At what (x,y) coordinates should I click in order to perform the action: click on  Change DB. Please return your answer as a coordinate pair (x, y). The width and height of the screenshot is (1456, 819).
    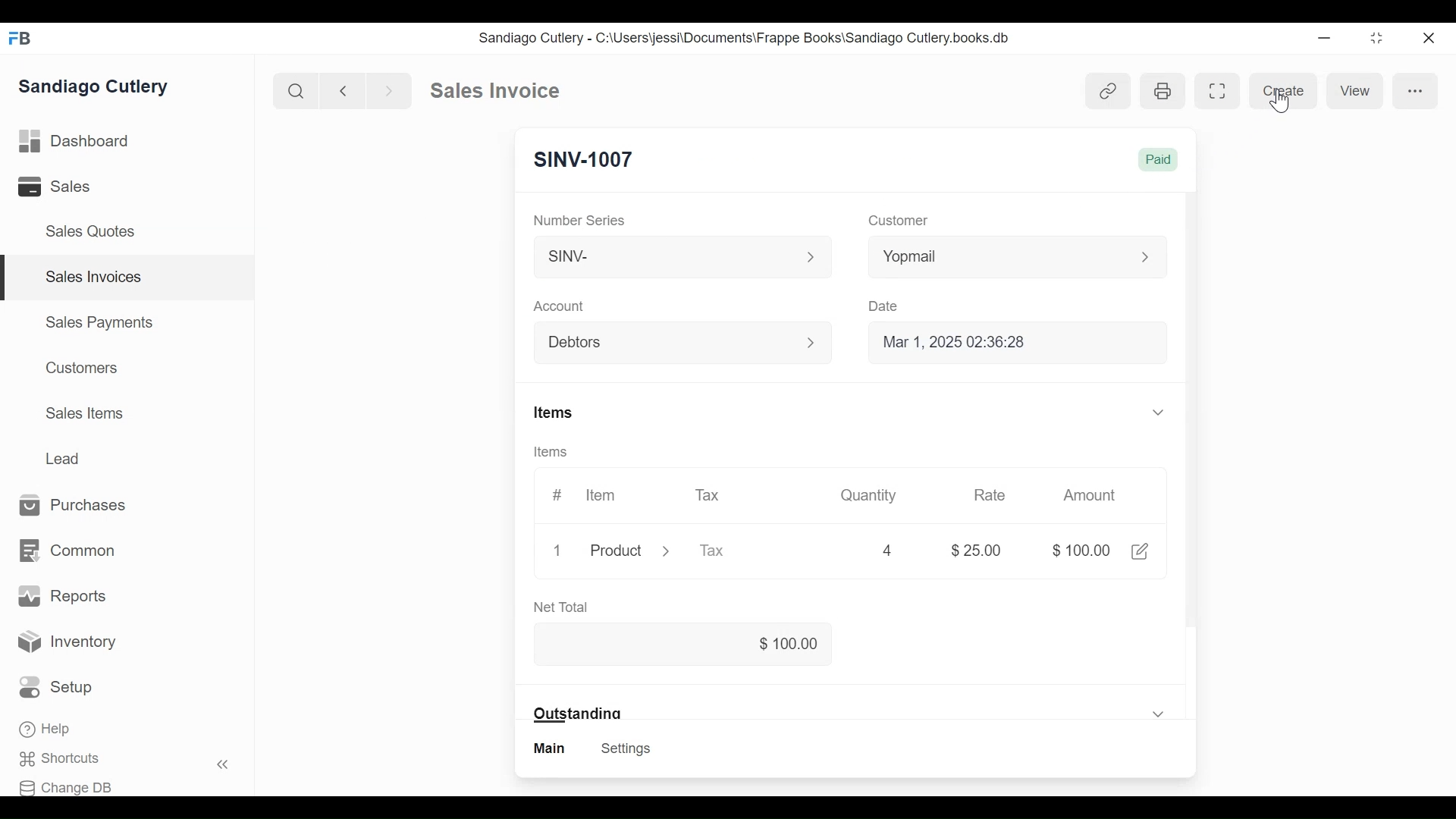
    Looking at the image, I should click on (67, 787).